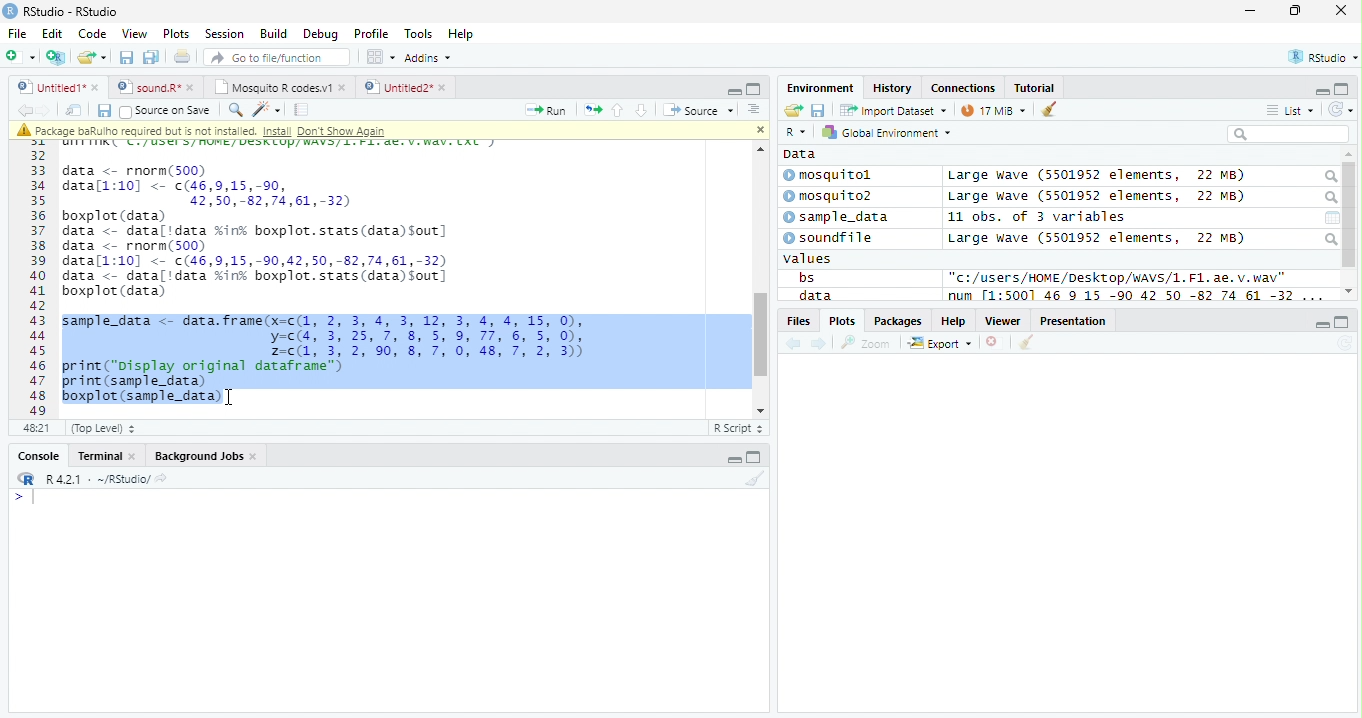 Image resolution: width=1362 pixels, height=718 pixels. I want to click on sample_data <- data.frame(x-c(1, 2, 3, 4, 3, 12, 3, 4, 4, 15, 0),
y=-c(4, 3, 25, 7,8,5,9,77,6,5, 0),
2z-c(1, 3, 2, 90, 8, 7, 0, 48, 7, 2, 3))

print("Display original dataframe”)

print (sample_data)

eanTet Camila SArdH], so click(342, 360).